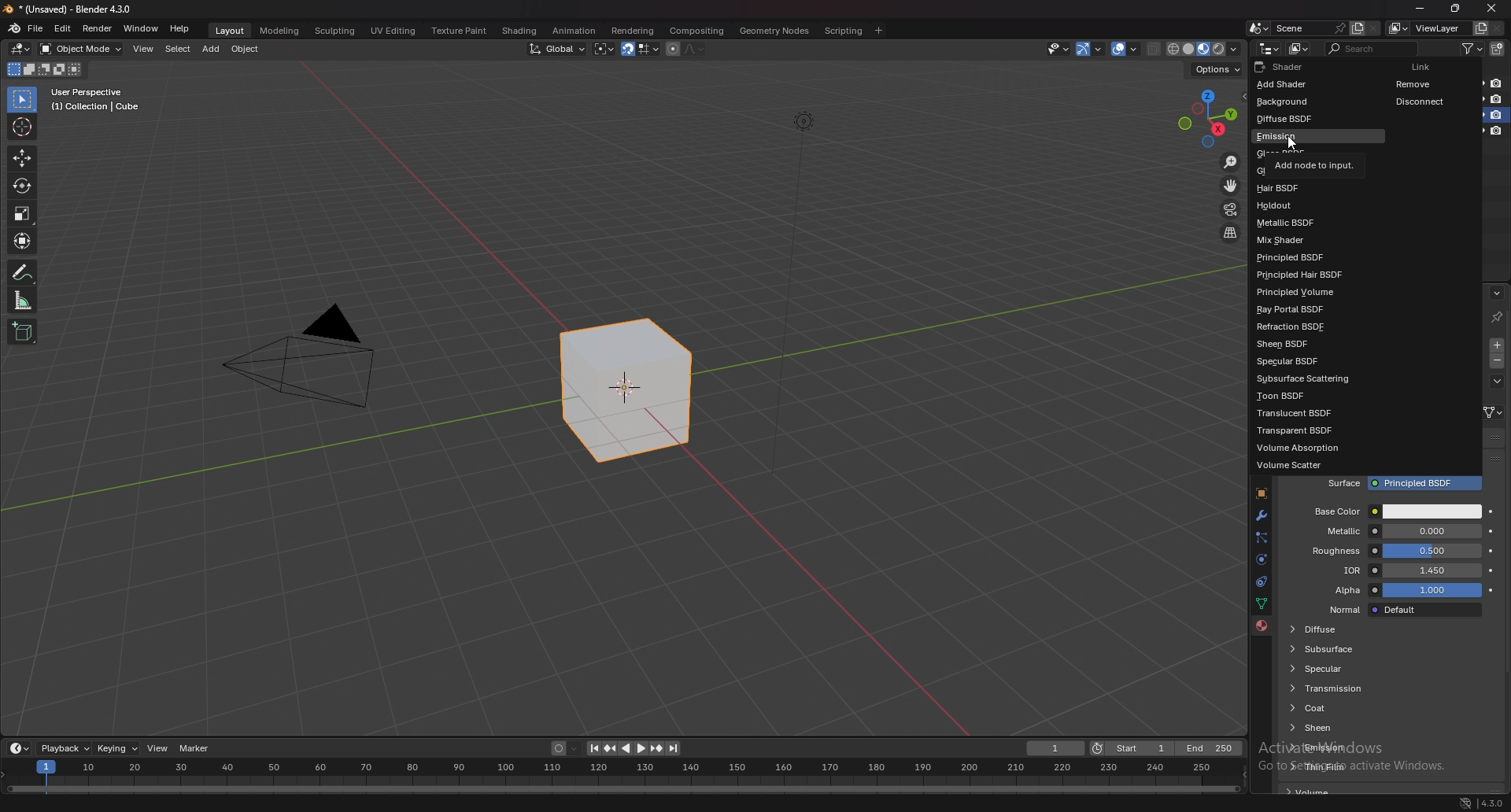 The image size is (1511, 812). Describe the element at coordinates (1260, 494) in the screenshot. I see `object` at that location.